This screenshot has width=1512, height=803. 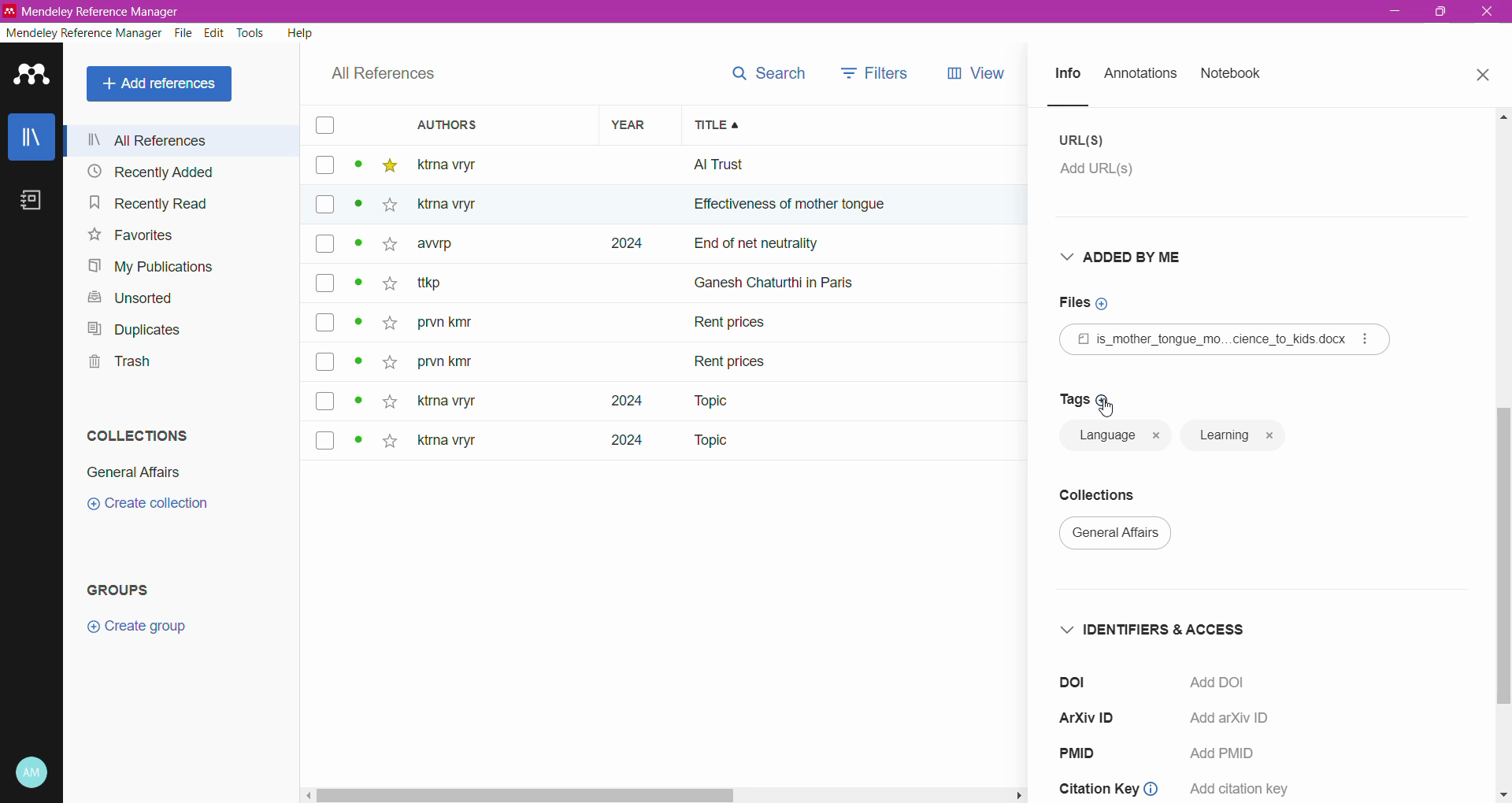 What do you see at coordinates (132, 235) in the screenshot?
I see `Favorites` at bounding box center [132, 235].